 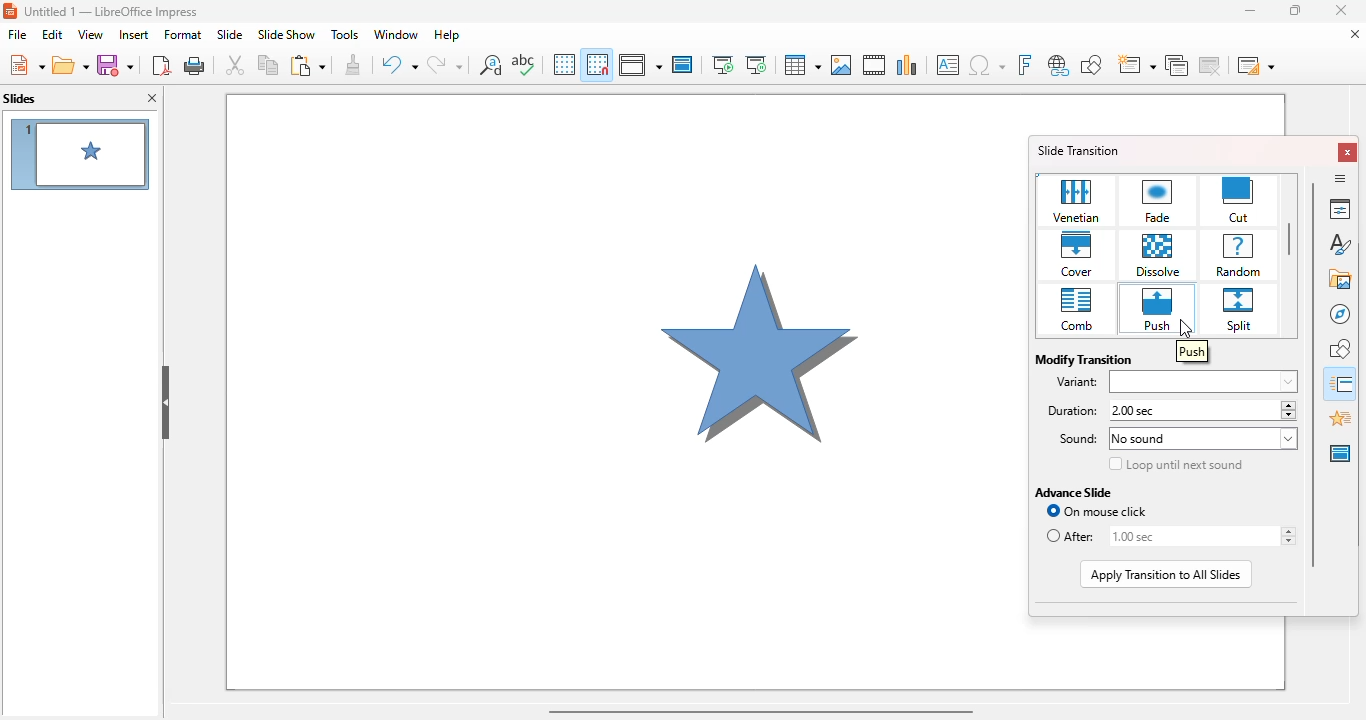 I want to click on animation, so click(x=1342, y=418).